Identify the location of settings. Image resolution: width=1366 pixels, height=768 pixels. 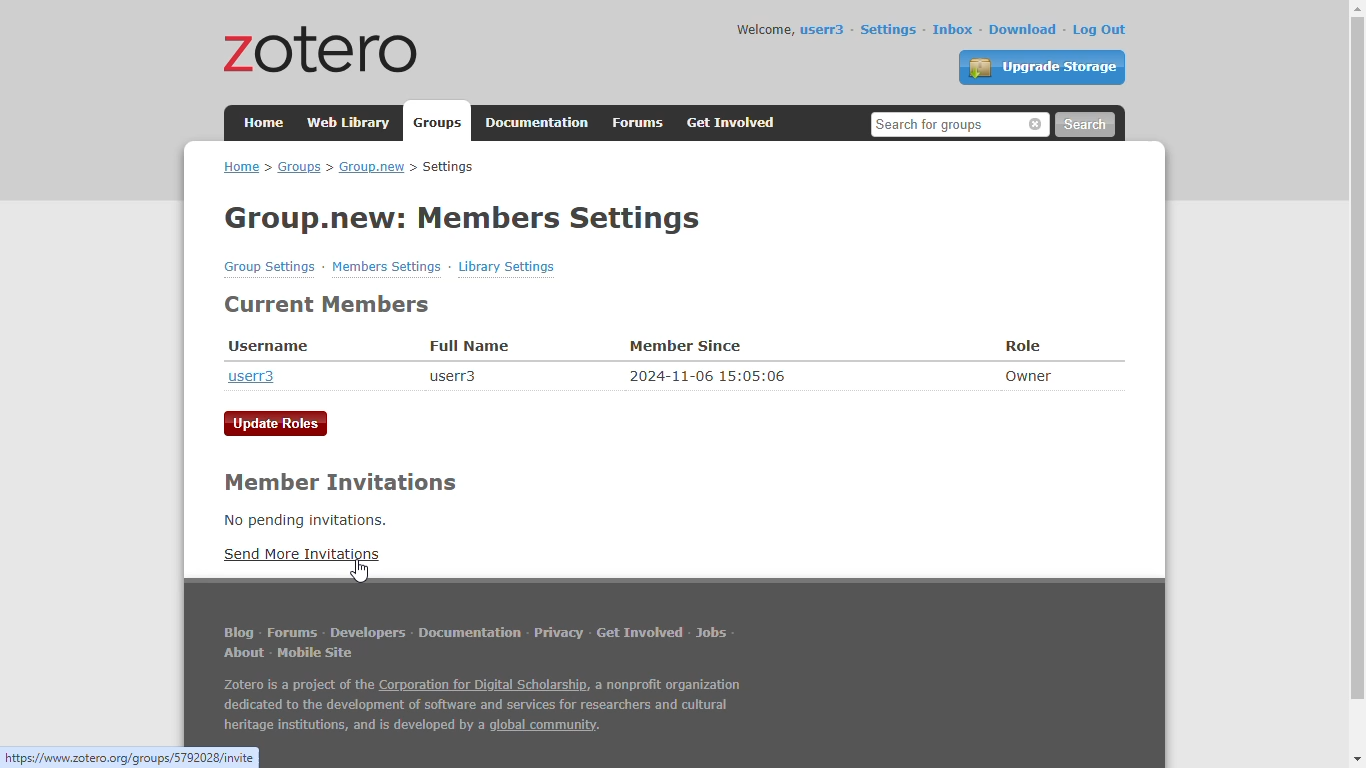
(888, 29).